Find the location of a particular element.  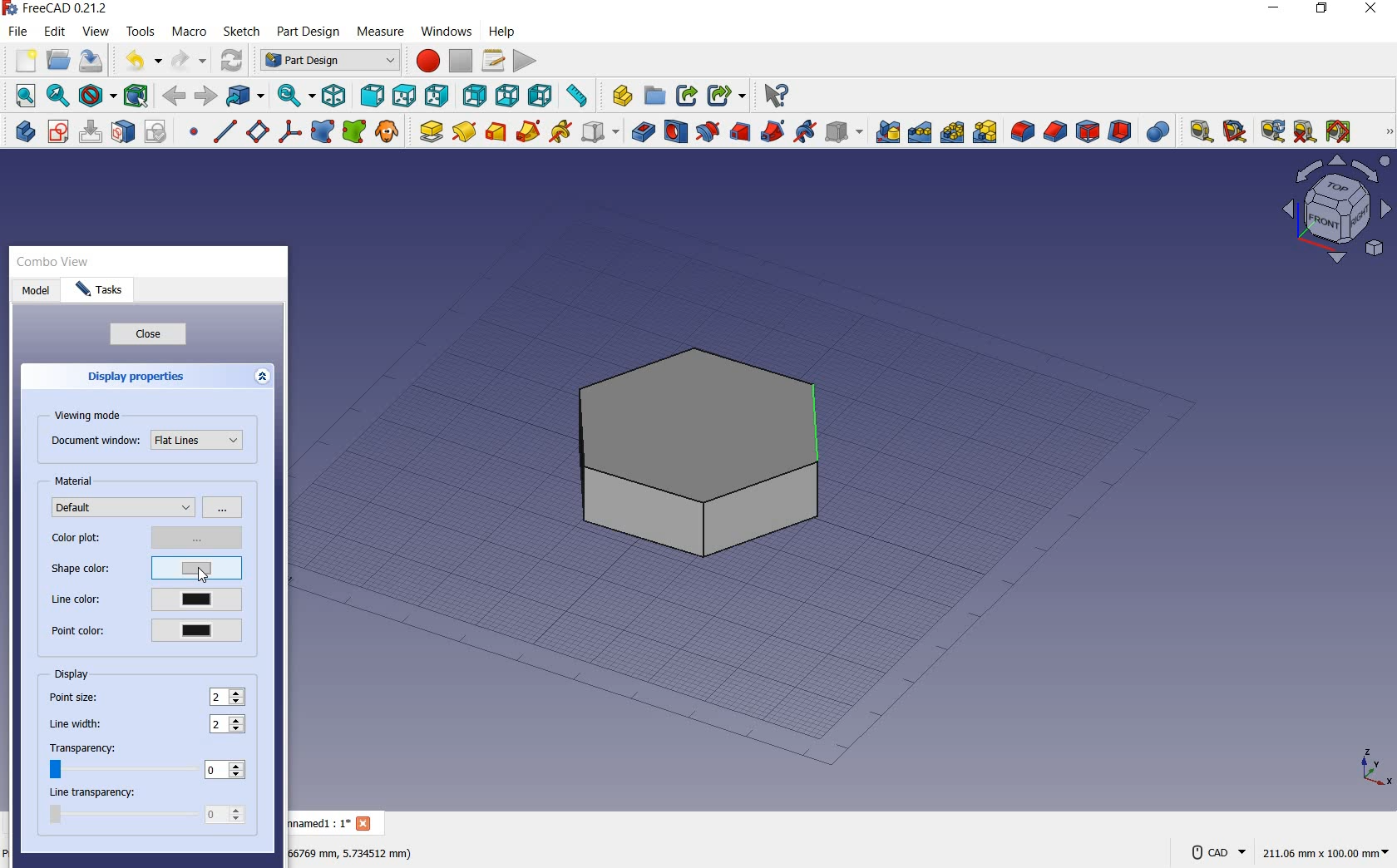

revolution is located at coordinates (464, 131).